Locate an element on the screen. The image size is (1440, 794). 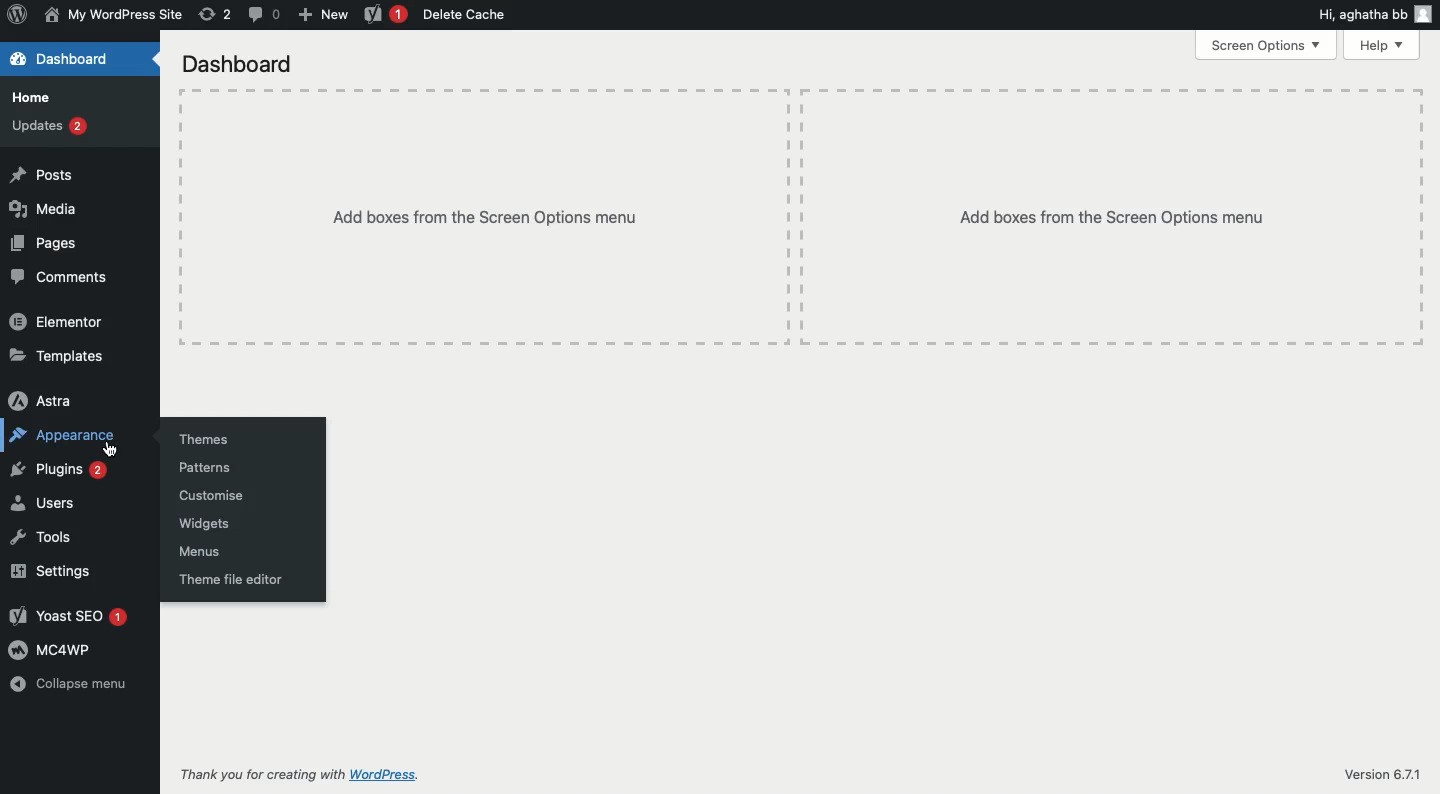
Revision is located at coordinates (216, 13).